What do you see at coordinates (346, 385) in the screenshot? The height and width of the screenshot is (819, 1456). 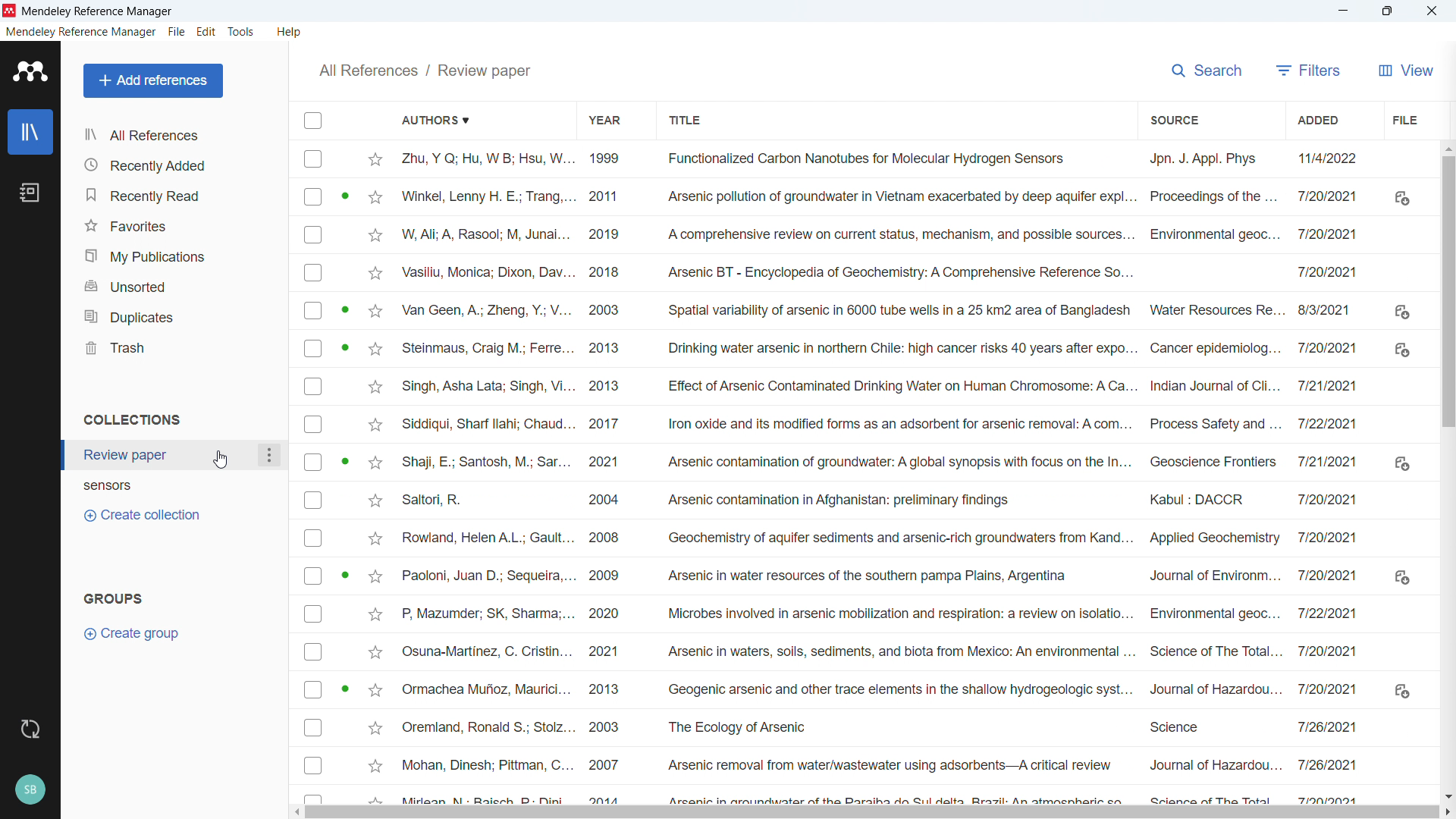 I see `PDF available` at bounding box center [346, 385].